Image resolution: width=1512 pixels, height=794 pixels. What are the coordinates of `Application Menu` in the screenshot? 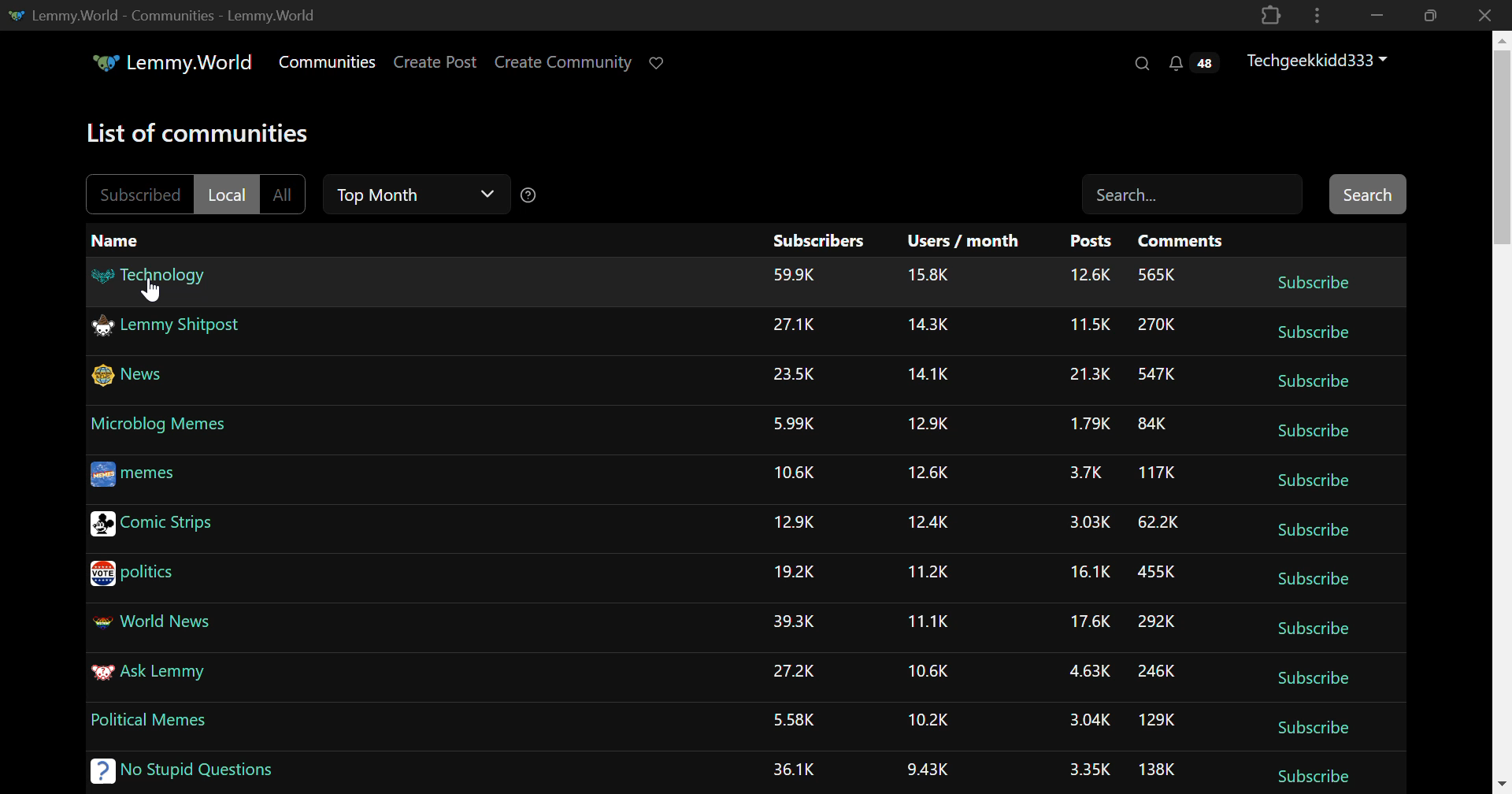 It's located at (1319, 15).